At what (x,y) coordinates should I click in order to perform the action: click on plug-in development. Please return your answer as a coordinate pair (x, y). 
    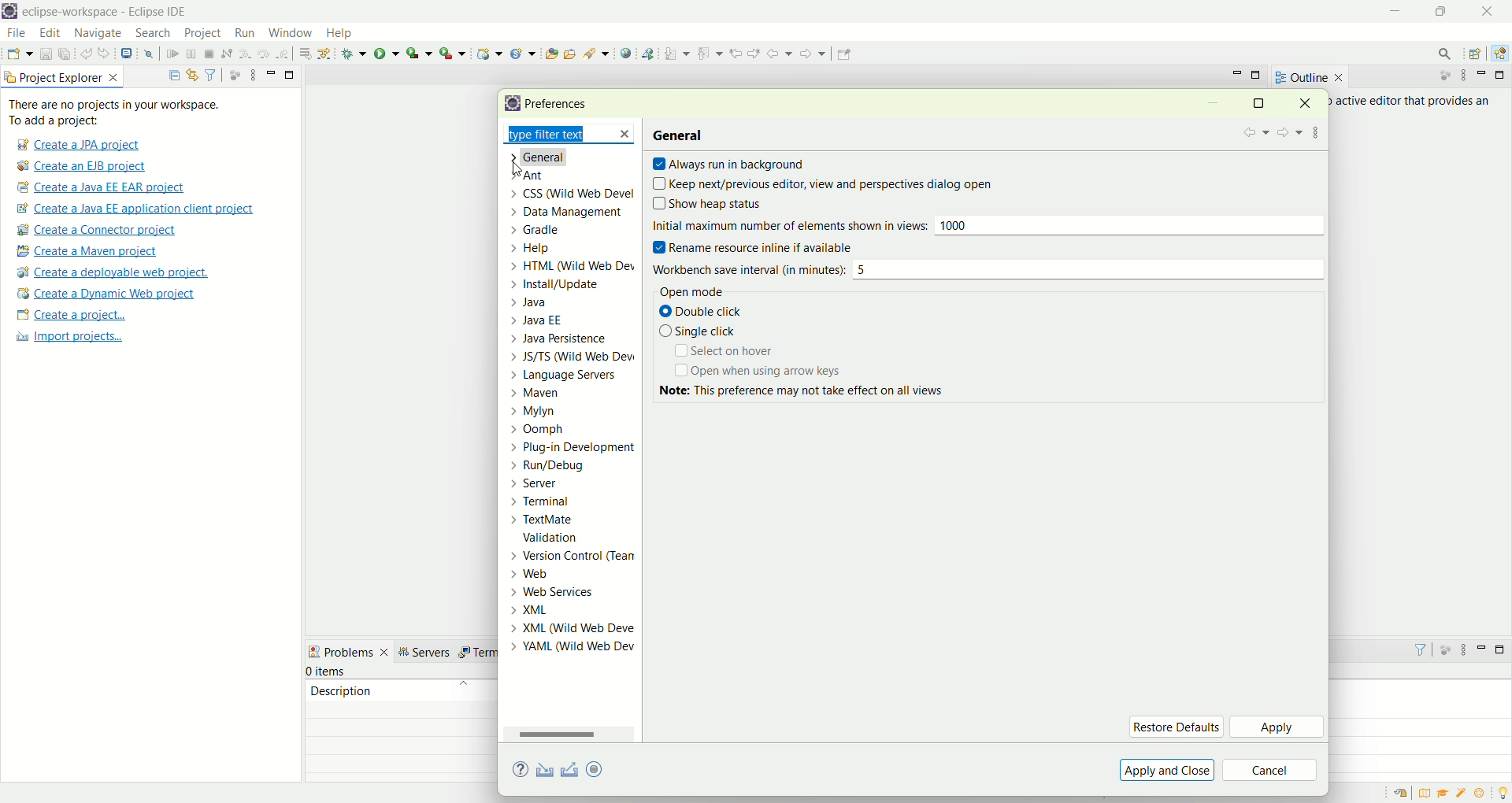
    Looking at the image, I should click on (574, 448).